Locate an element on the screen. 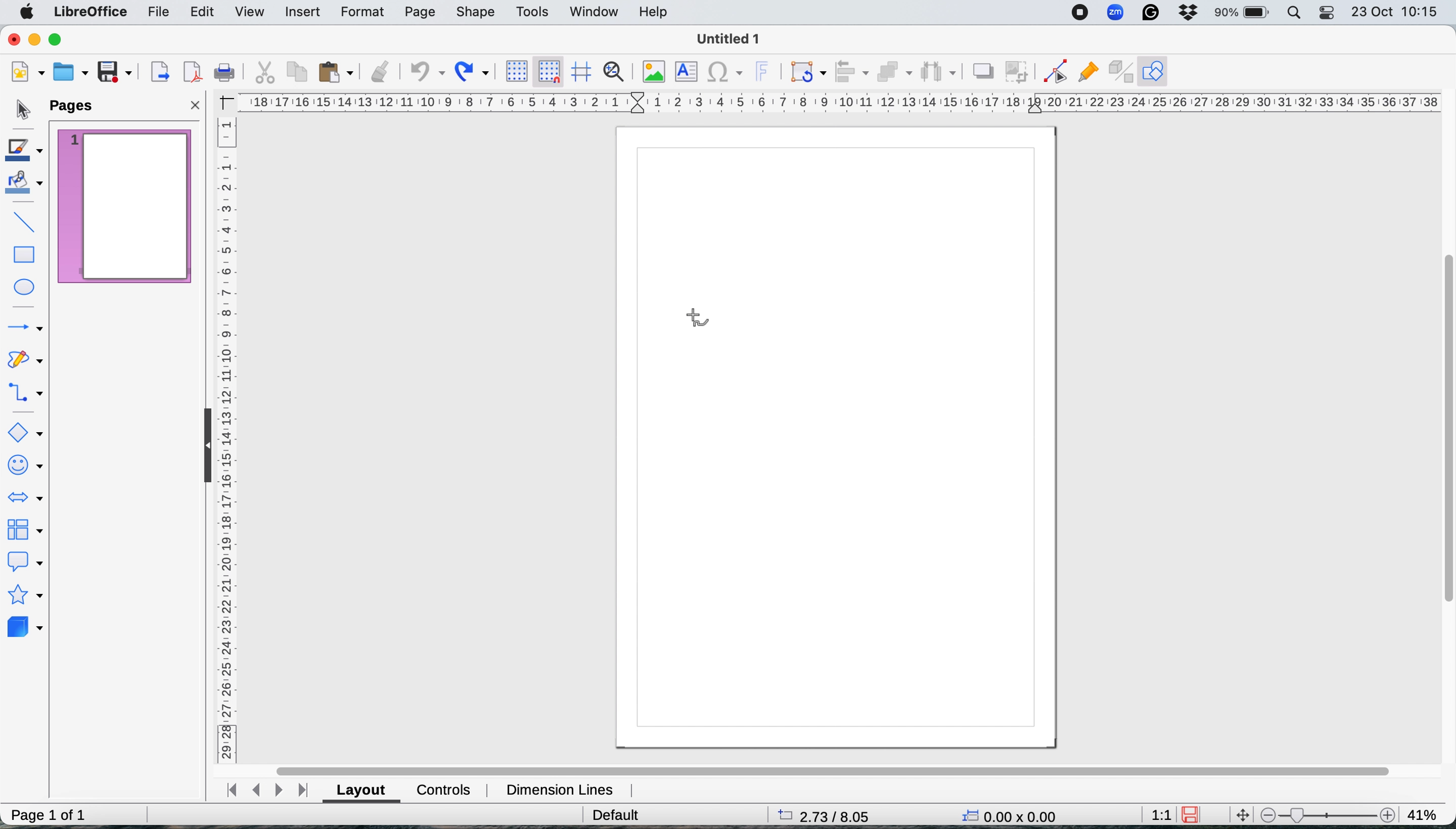  grammarly is located at coordinates (1150, 12).